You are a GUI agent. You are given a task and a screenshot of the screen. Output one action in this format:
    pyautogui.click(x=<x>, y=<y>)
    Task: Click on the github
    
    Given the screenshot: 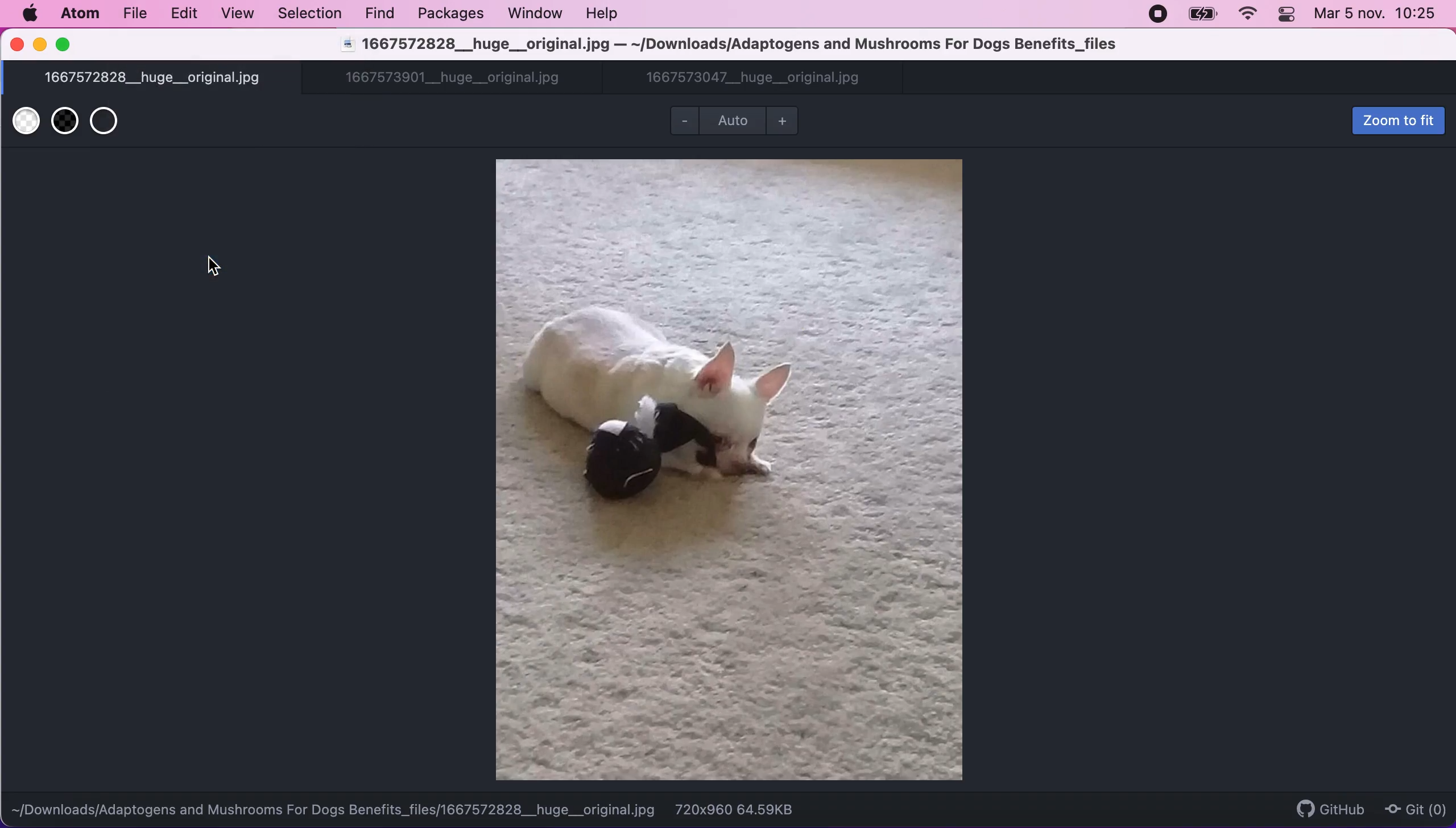 What is the action you would take?
    pyautogui.click(x=1317, y=807)
    